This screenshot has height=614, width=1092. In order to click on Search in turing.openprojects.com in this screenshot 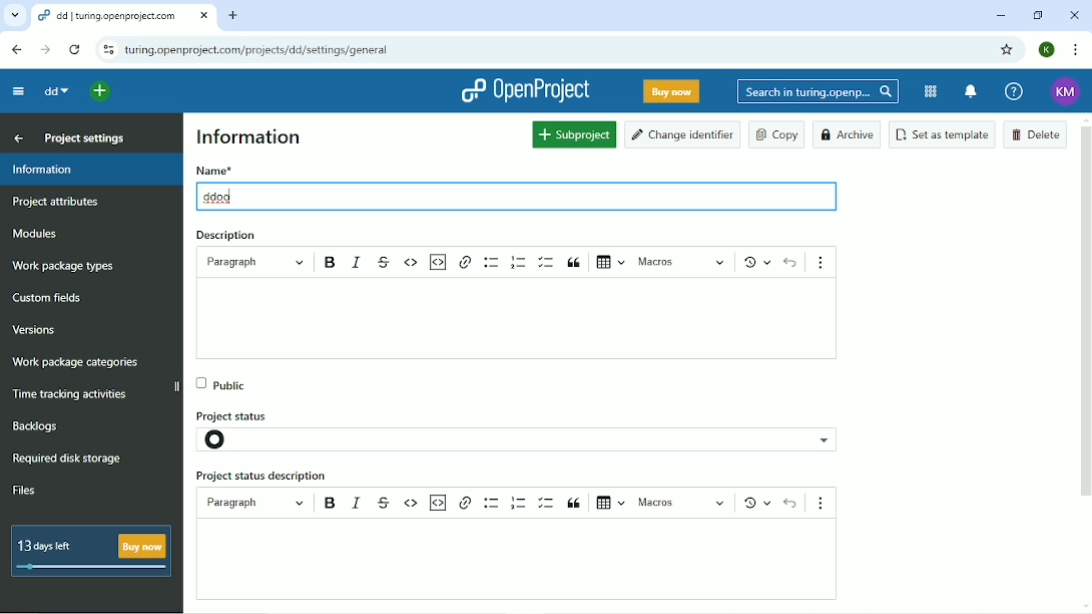, I will do `click(818, 92)`.